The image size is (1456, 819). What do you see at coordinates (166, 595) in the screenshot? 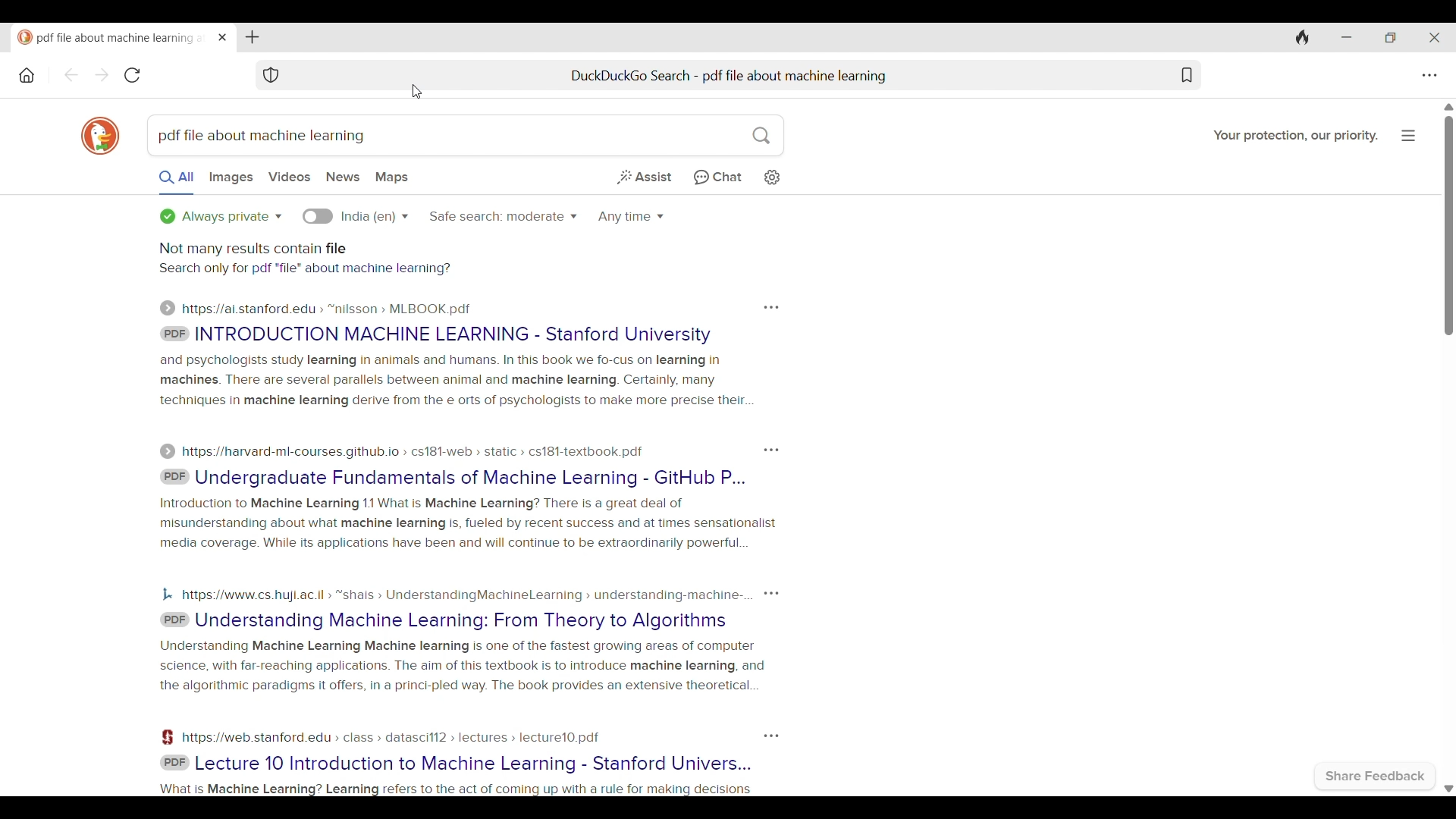
I see `Site logo` at bounding box center [166, 595].